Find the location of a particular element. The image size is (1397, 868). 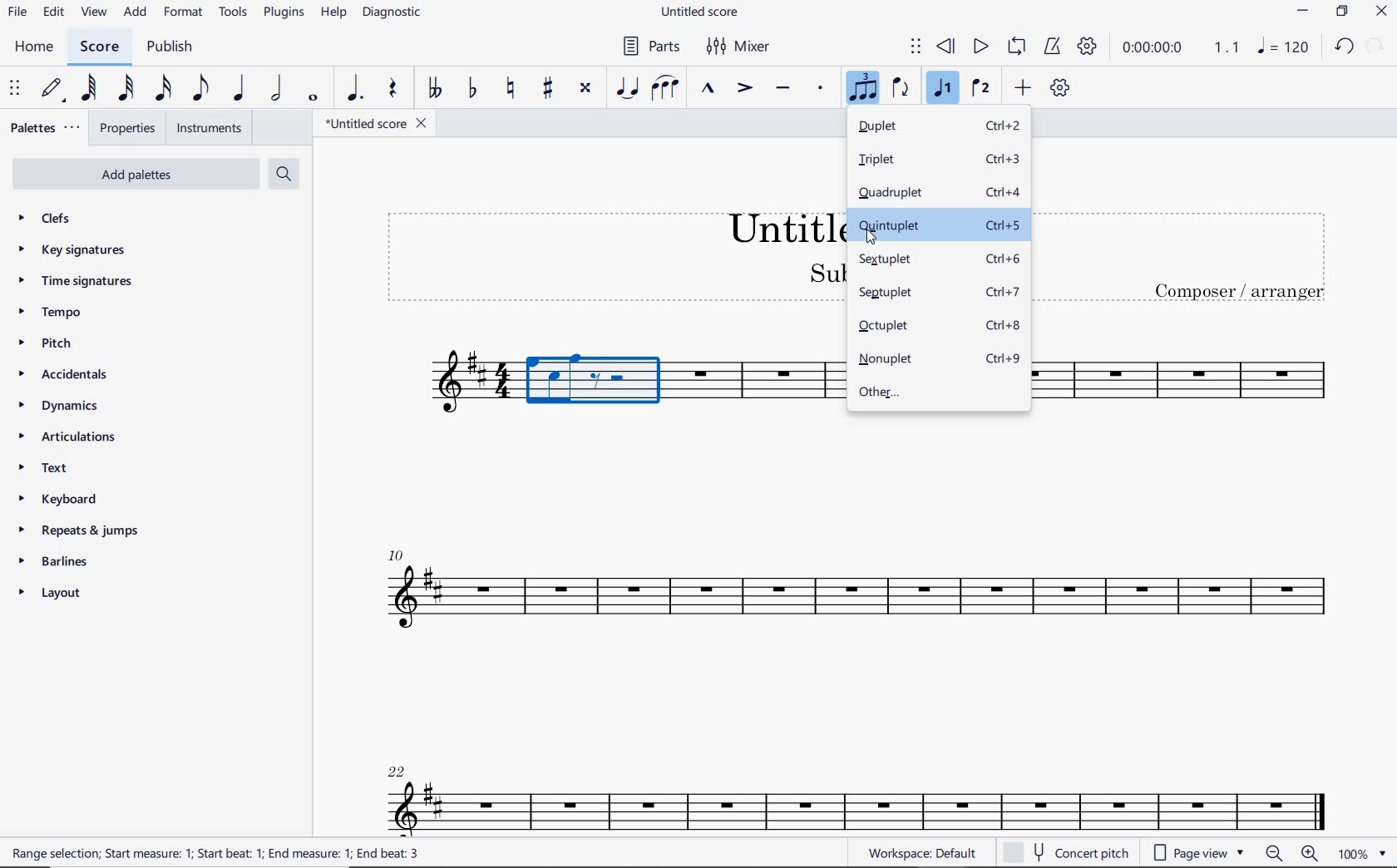

TOGGLE FLAT is located at coordinates (473, 89).